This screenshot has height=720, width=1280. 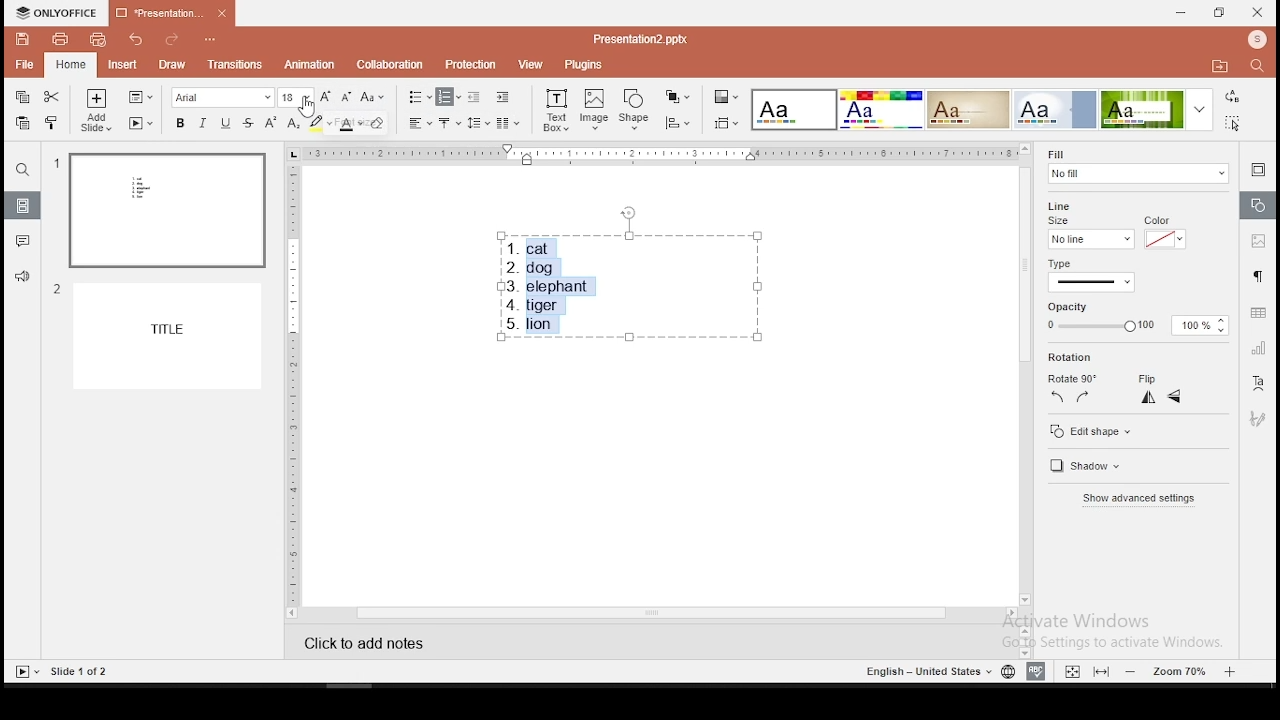 I want to click on spell check, so click(x=1036, y=672).